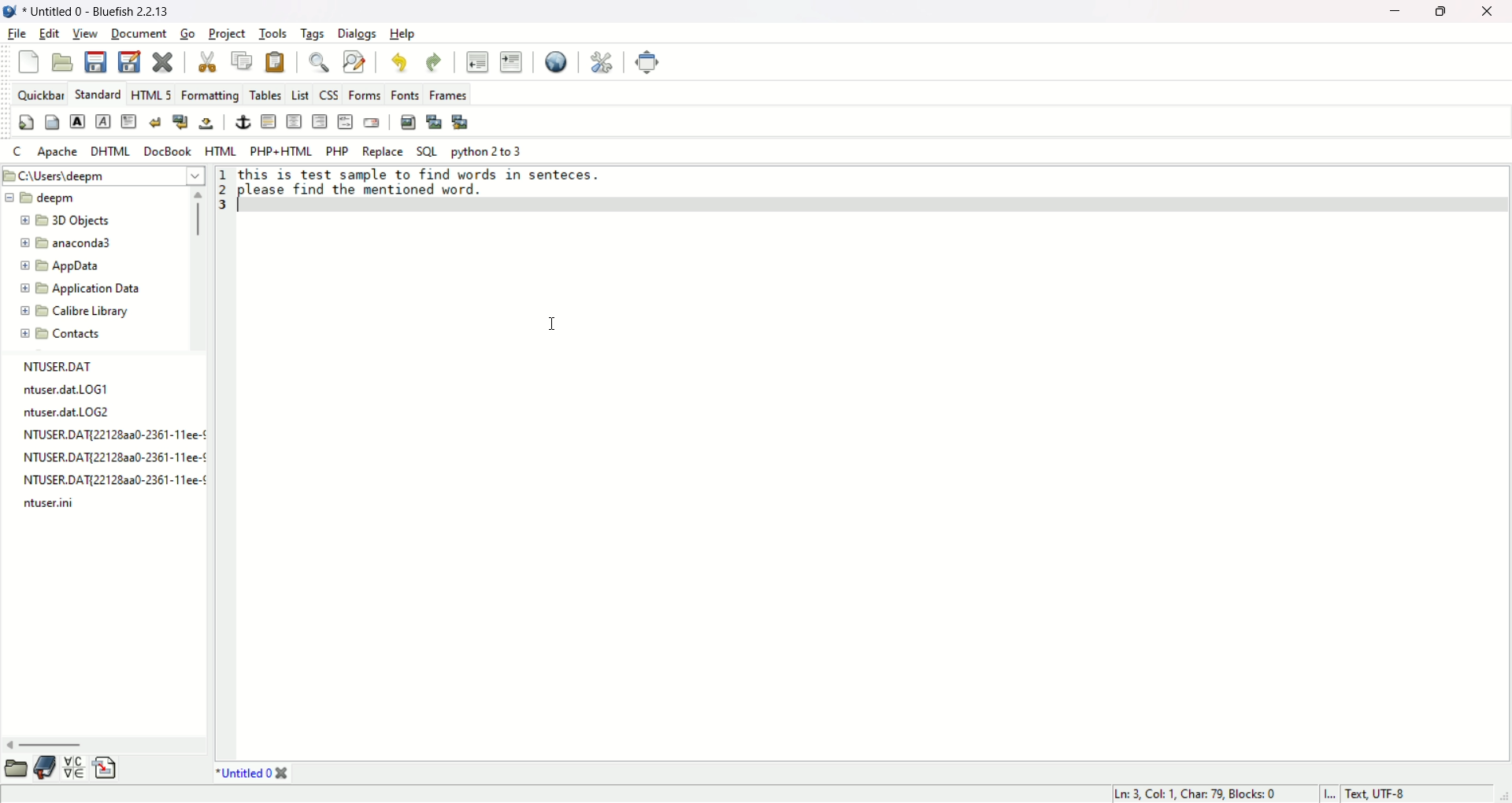  Describe the element at coordinates (15, 769) in the screenshot. I see `open` at that location.